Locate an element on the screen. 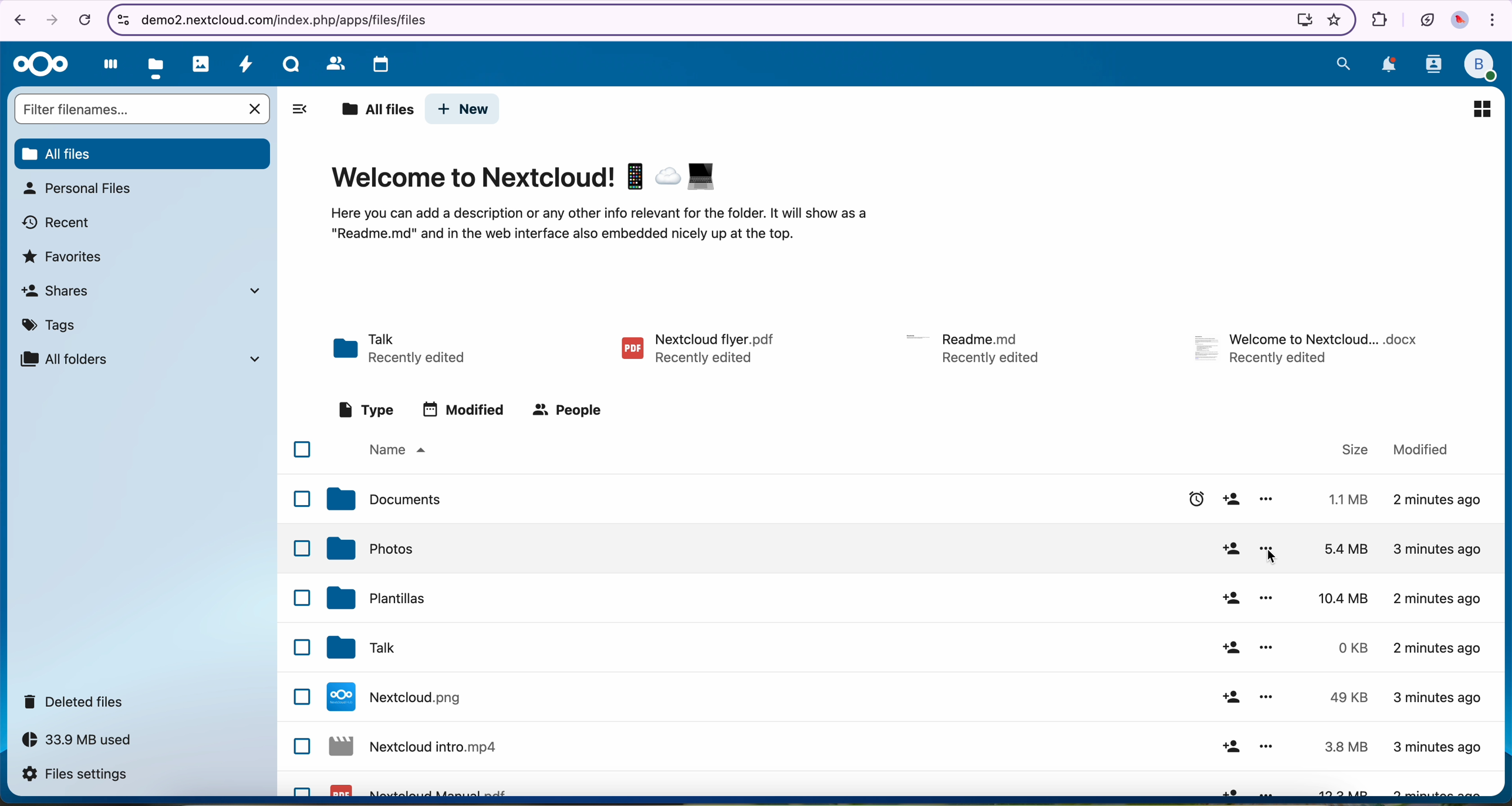 This screenshot has width=1512, height=806. install Nextcloud is located at coordinates (1300, 21).